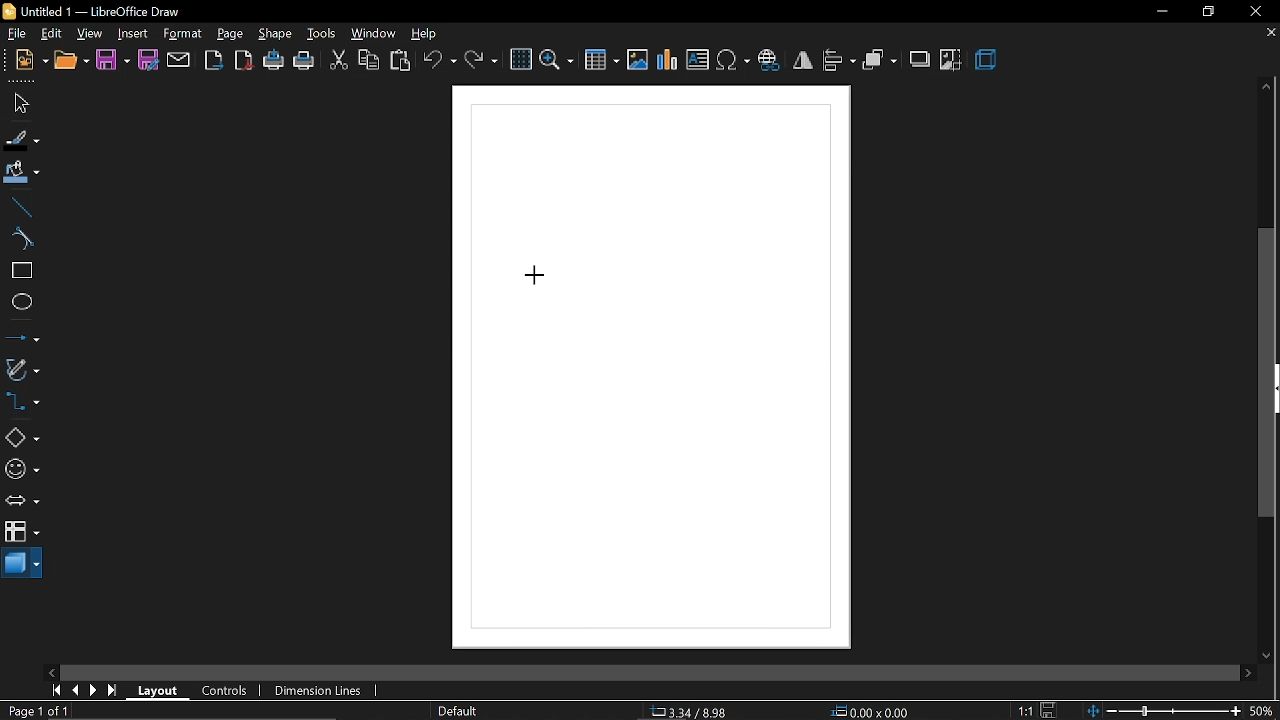 Image resolution: width=1280 pixels, height=720 pixels. What do you see at coordinates (769, 62) in the screenshot?
I see `insert hyperlink` at bounding box center [769, 62].